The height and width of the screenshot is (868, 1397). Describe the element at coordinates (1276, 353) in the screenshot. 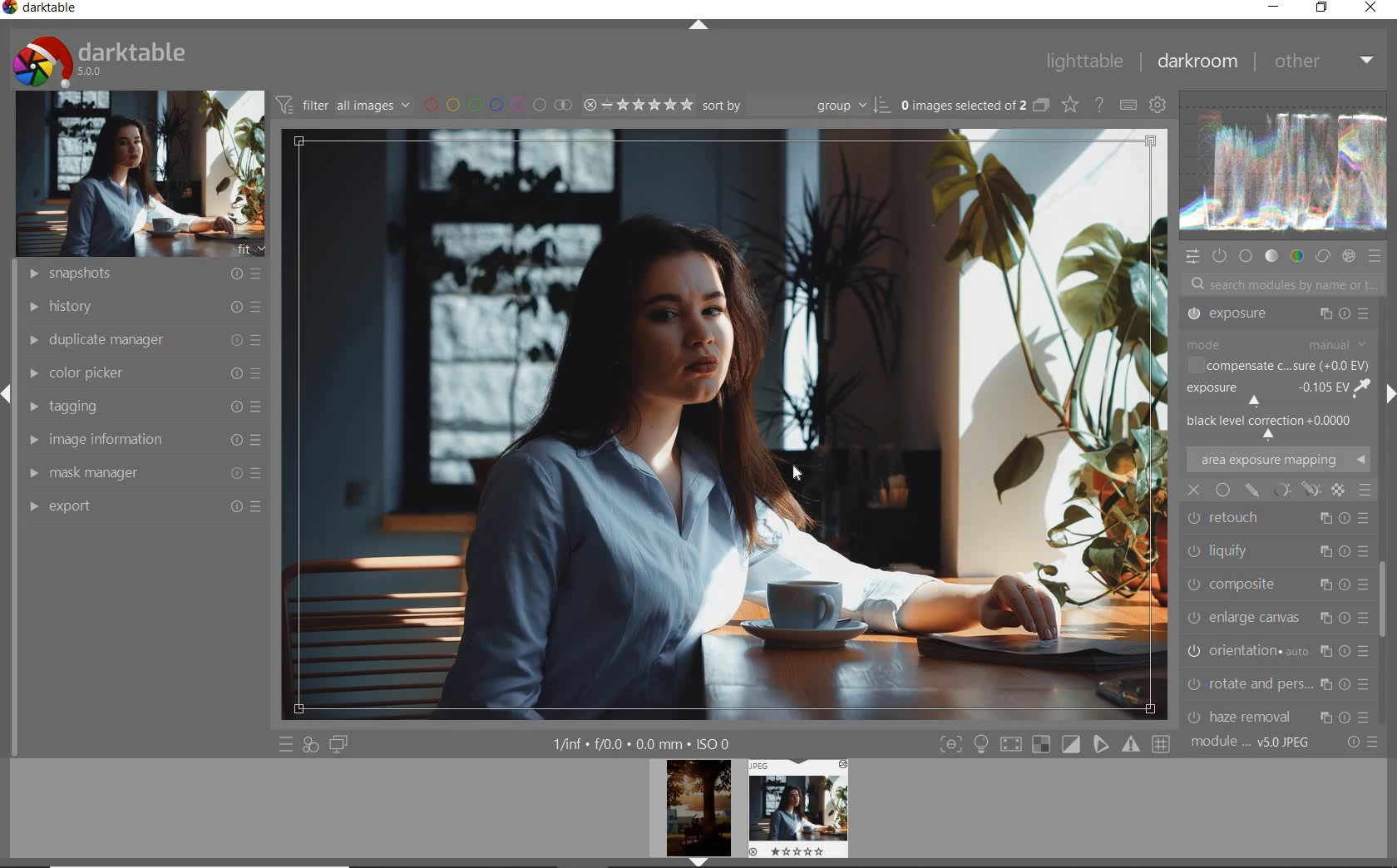

I see `TONE EQUALIZER` at that location.